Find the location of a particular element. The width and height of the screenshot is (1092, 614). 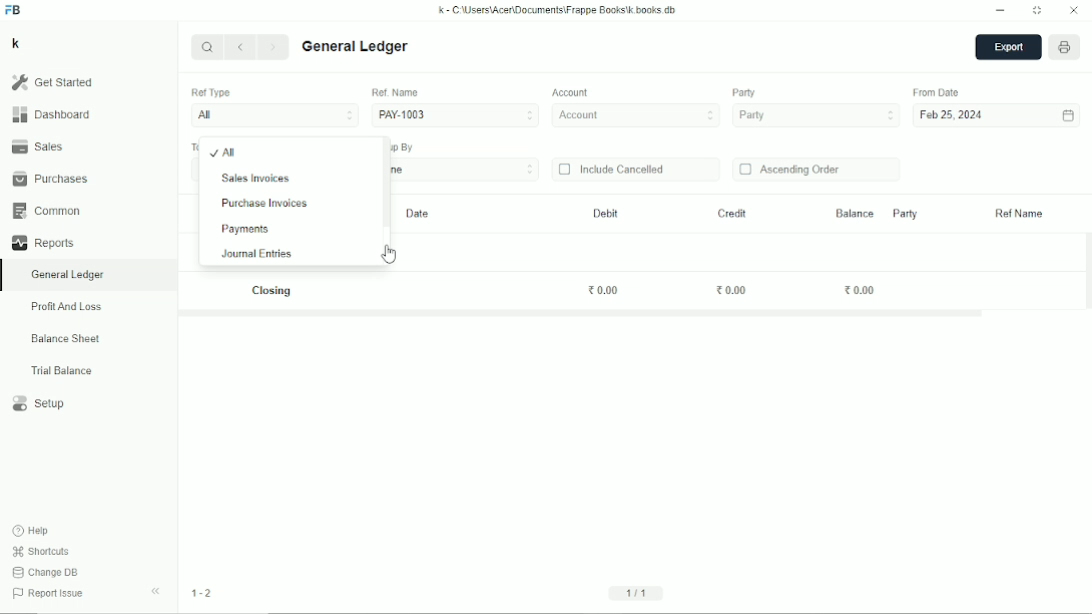

Close is located at coordinates (1074, 11).